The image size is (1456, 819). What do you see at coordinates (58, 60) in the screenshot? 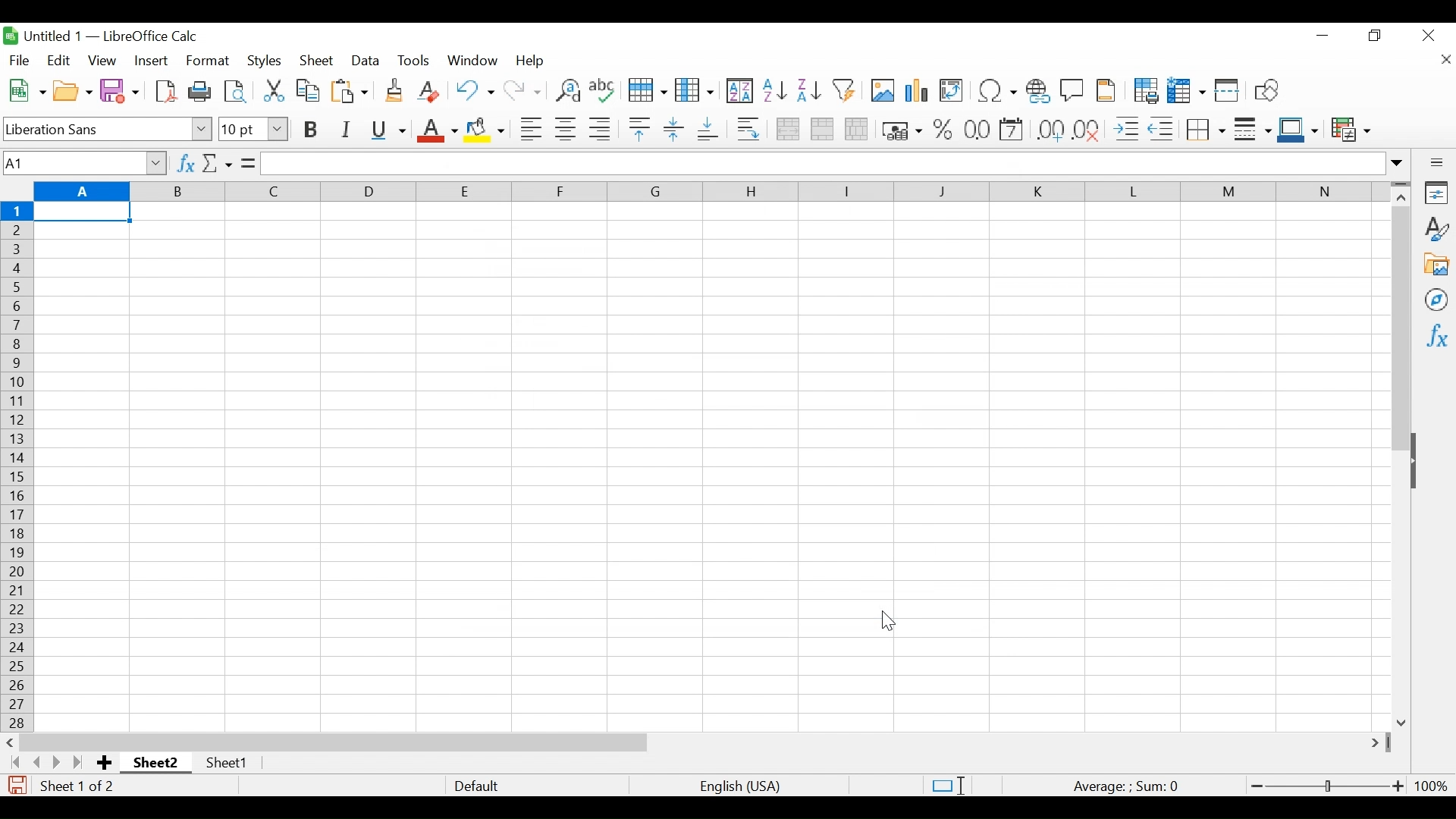
I see `Edit` at bounding box center [58, 60].